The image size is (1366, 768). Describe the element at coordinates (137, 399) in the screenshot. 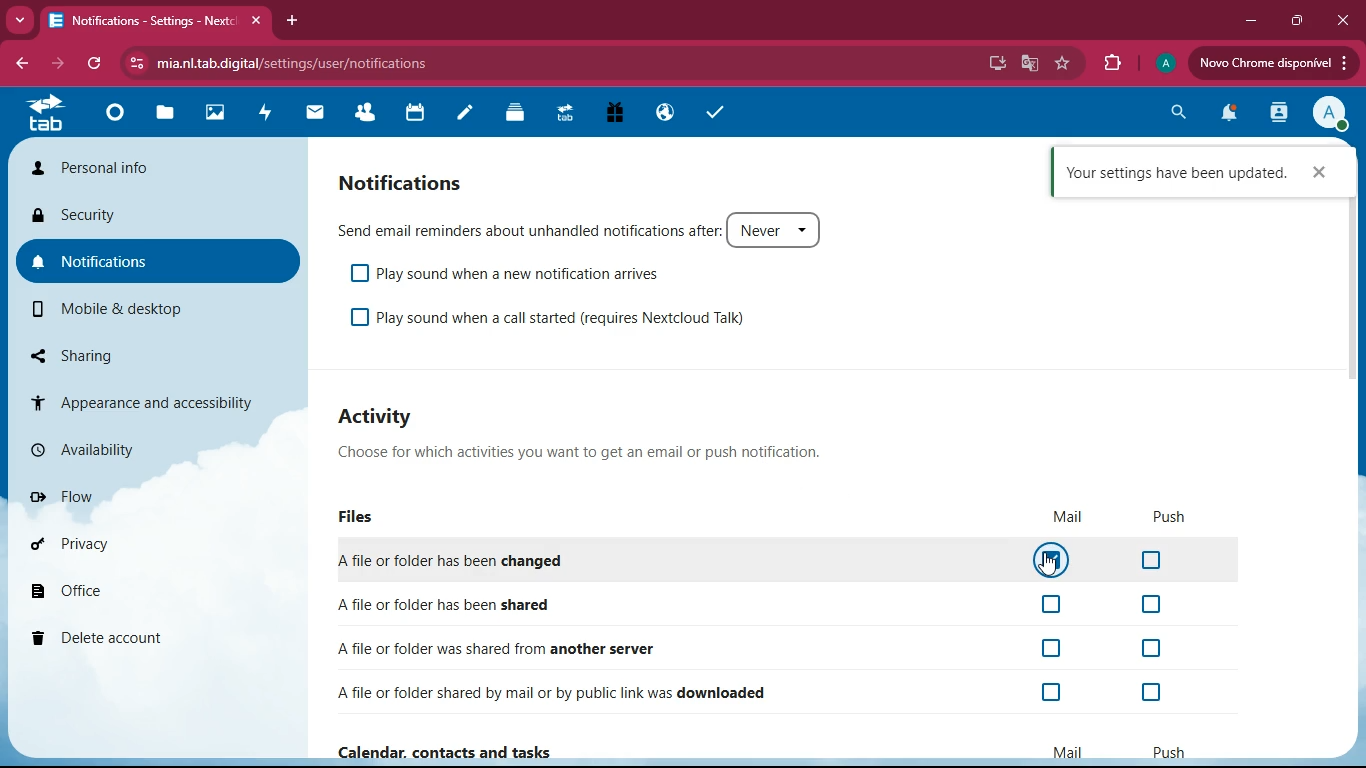

I see `appearance` at that location.